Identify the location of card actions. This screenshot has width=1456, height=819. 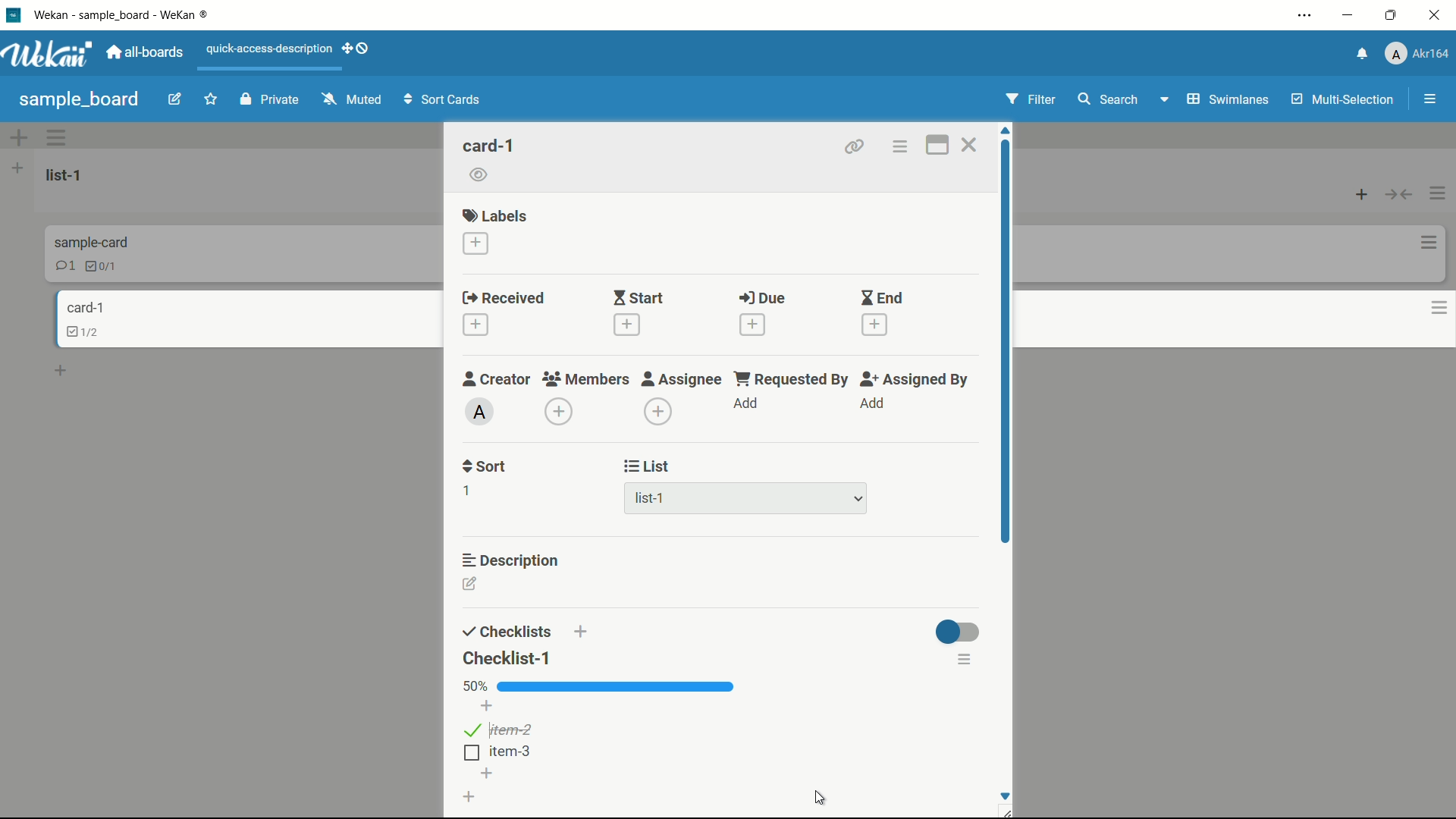
(1423, 242).